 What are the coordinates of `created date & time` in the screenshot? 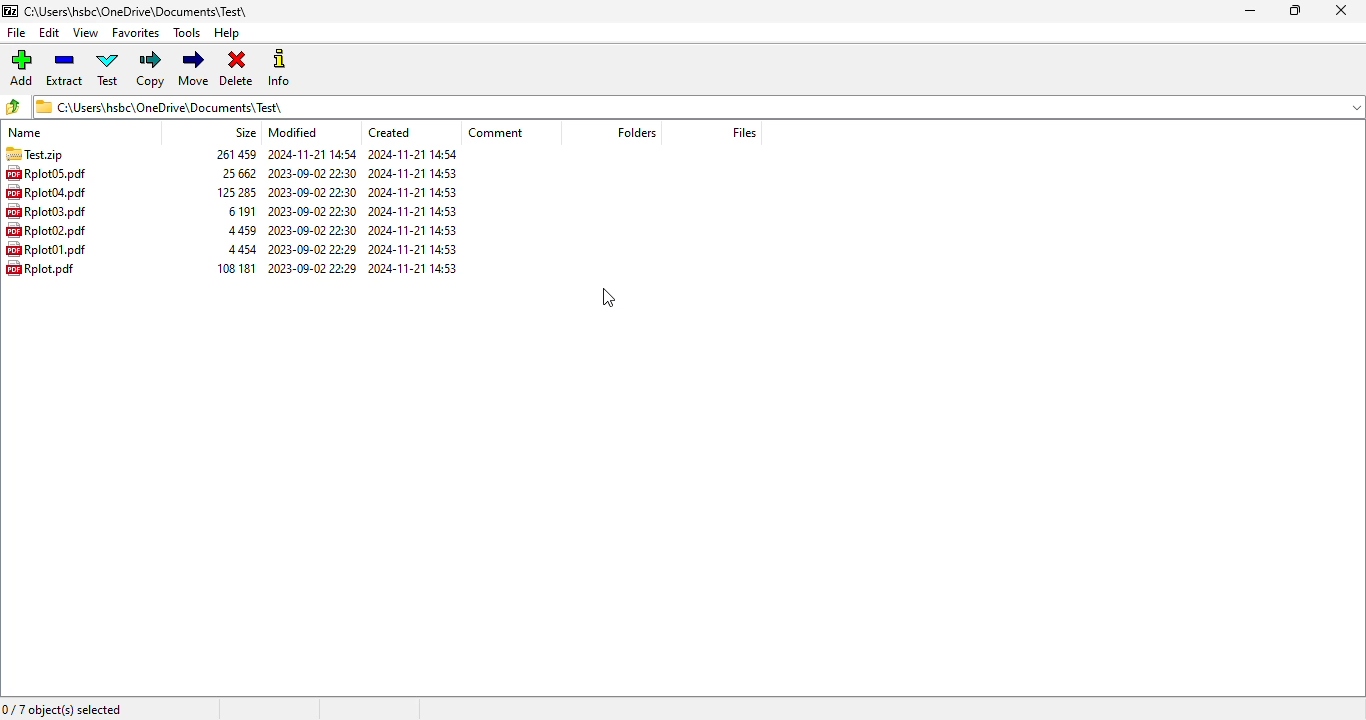 It's located at (413, 211).